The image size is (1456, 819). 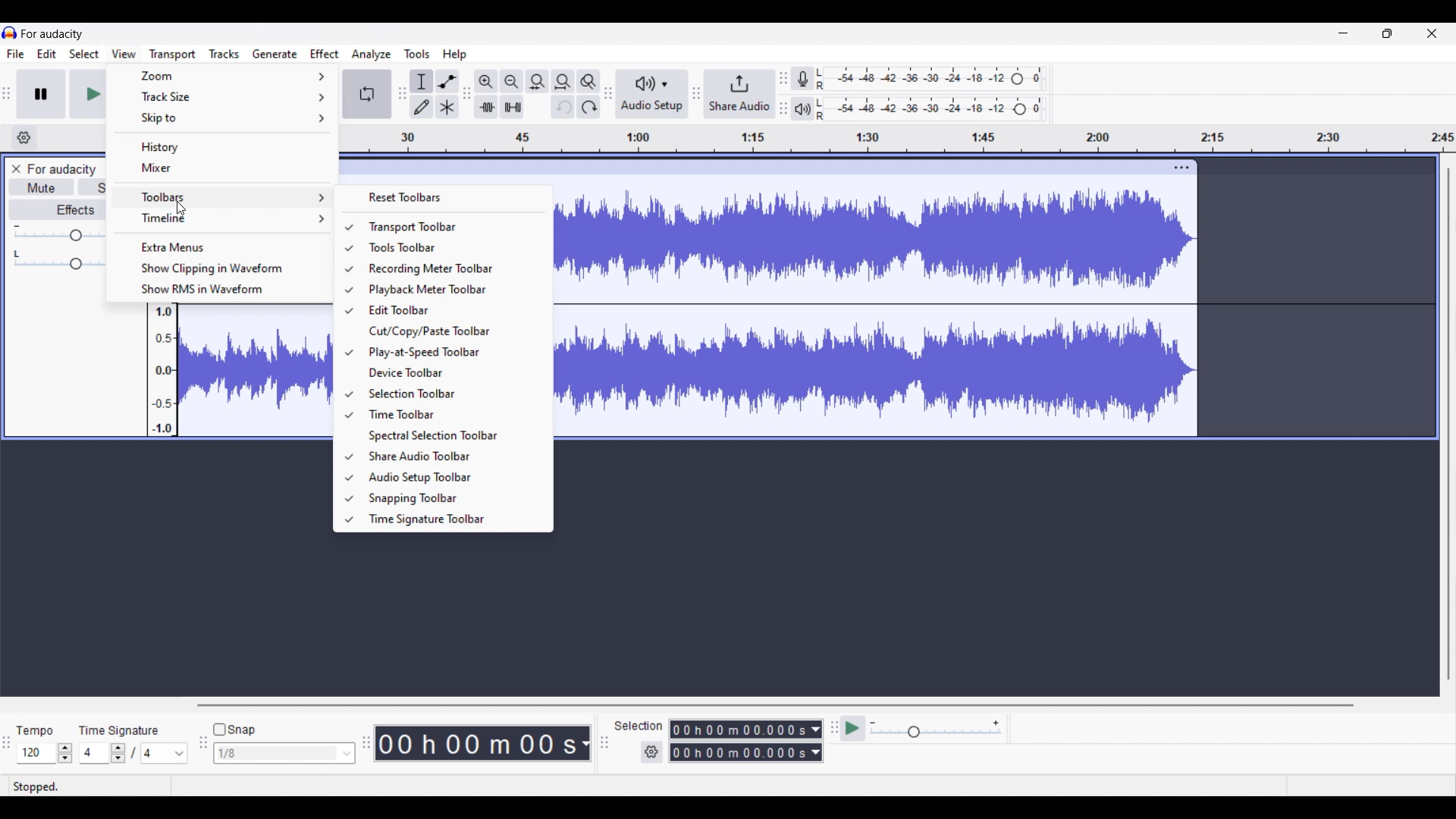 I want to click on Track settings, so click(x=1182, y=168).